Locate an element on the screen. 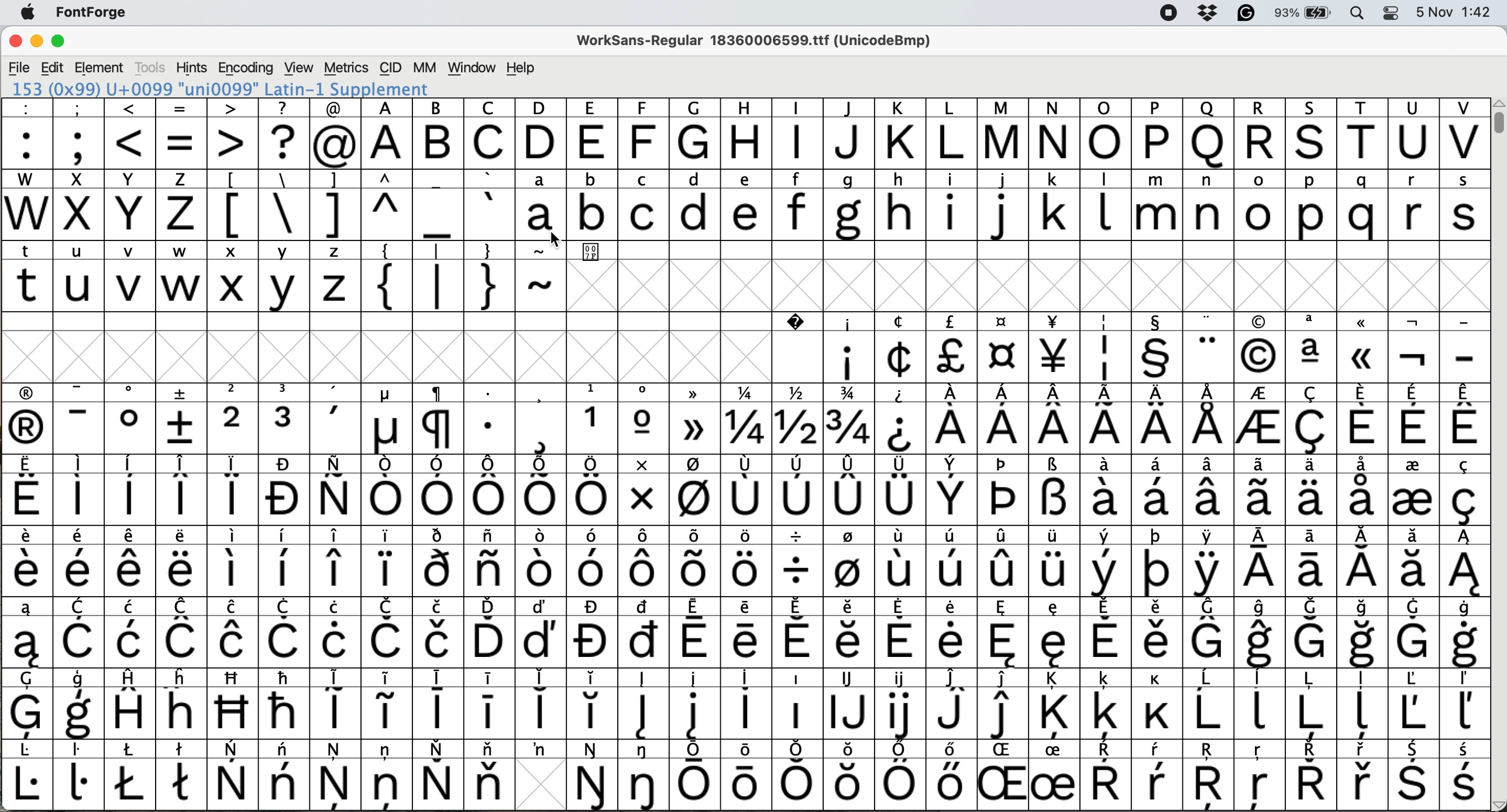  symbol is located at coordinates (1004, 704).